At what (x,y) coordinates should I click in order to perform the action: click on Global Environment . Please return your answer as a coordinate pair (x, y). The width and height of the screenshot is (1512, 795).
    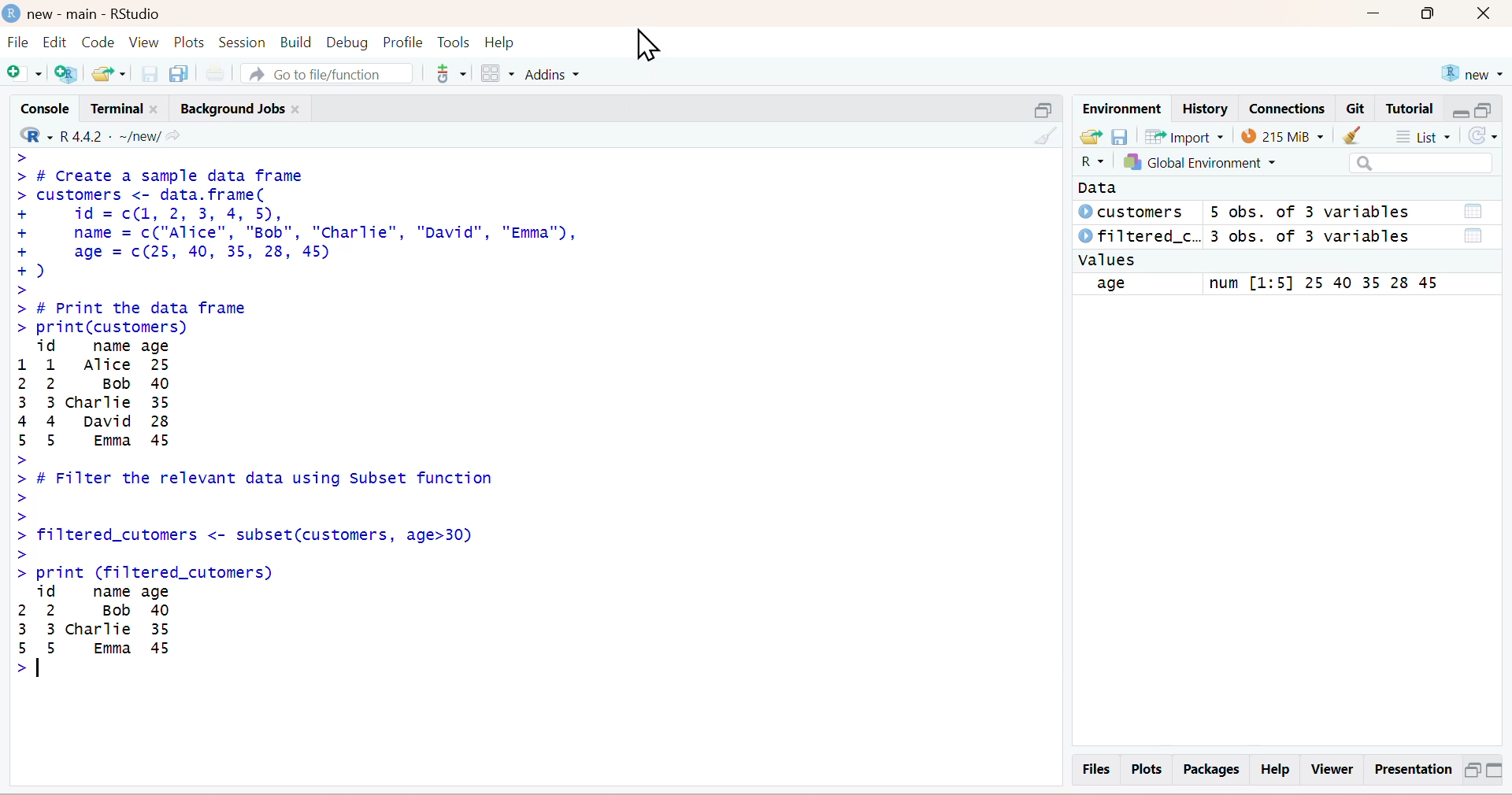
    Looking at the image, I should click on (1220, 165).